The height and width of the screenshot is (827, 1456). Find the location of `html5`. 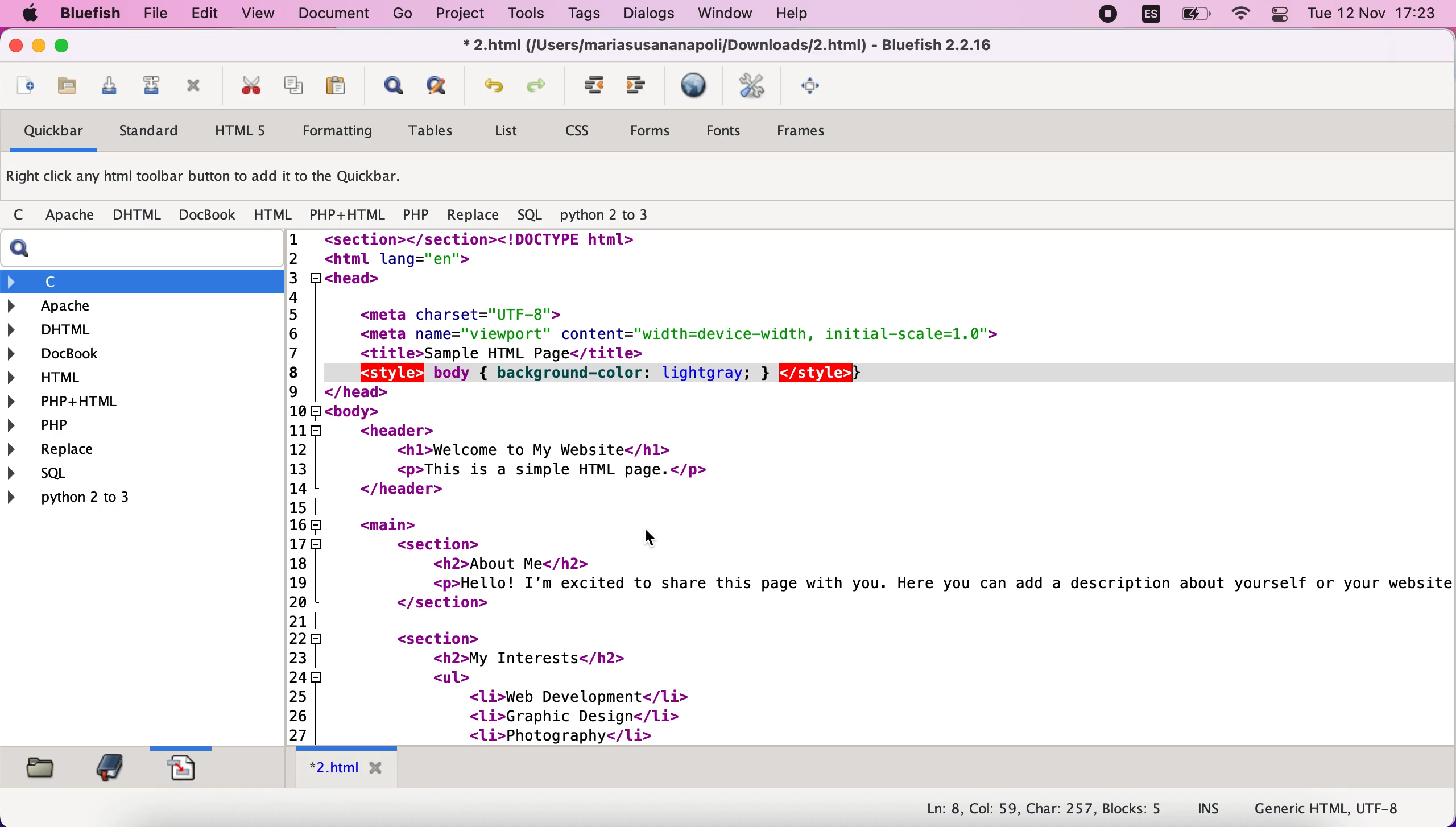

html5 is located at coordinates (249, 131).